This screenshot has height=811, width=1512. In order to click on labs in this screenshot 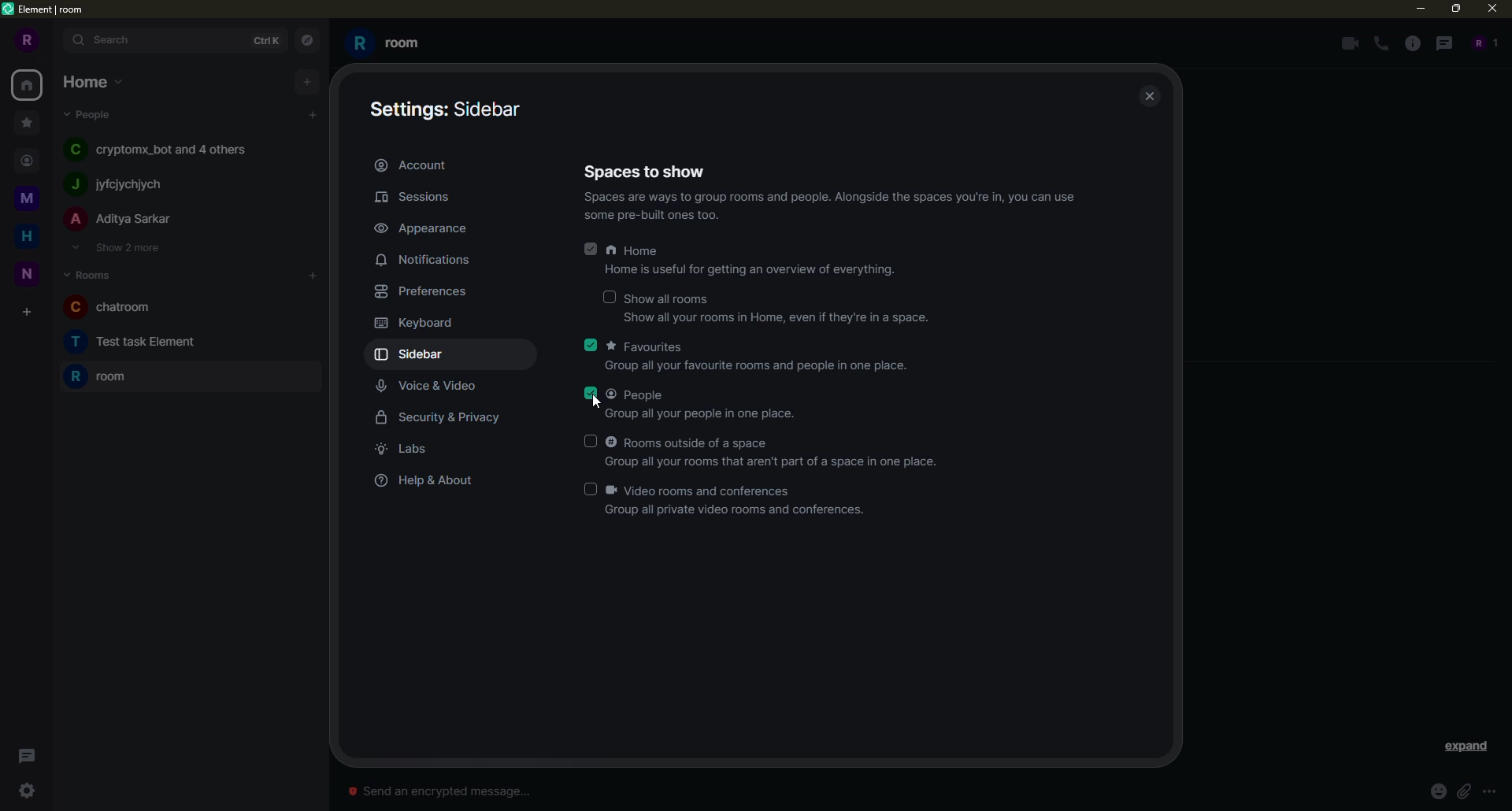, I will do `click(408, 450)`.